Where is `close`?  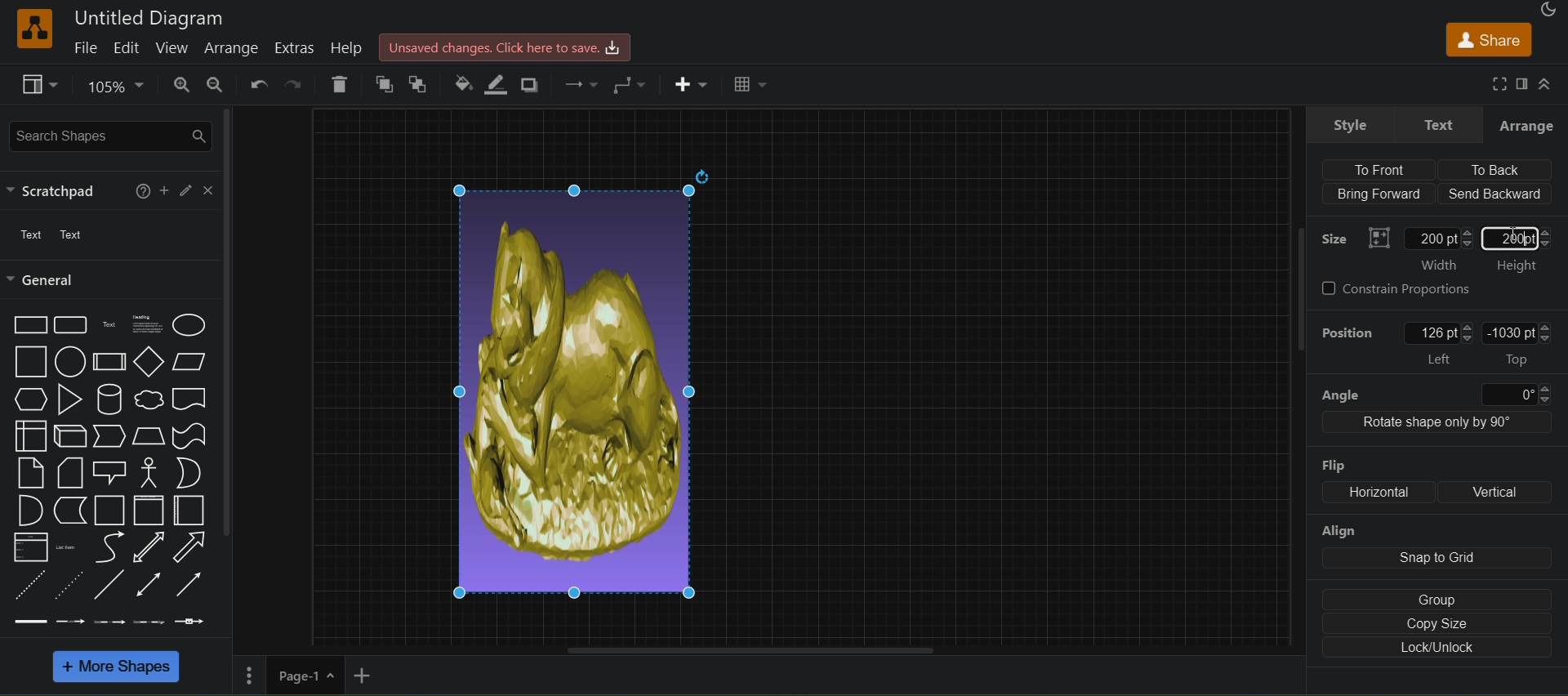 close is located at coordinates (209, 190).